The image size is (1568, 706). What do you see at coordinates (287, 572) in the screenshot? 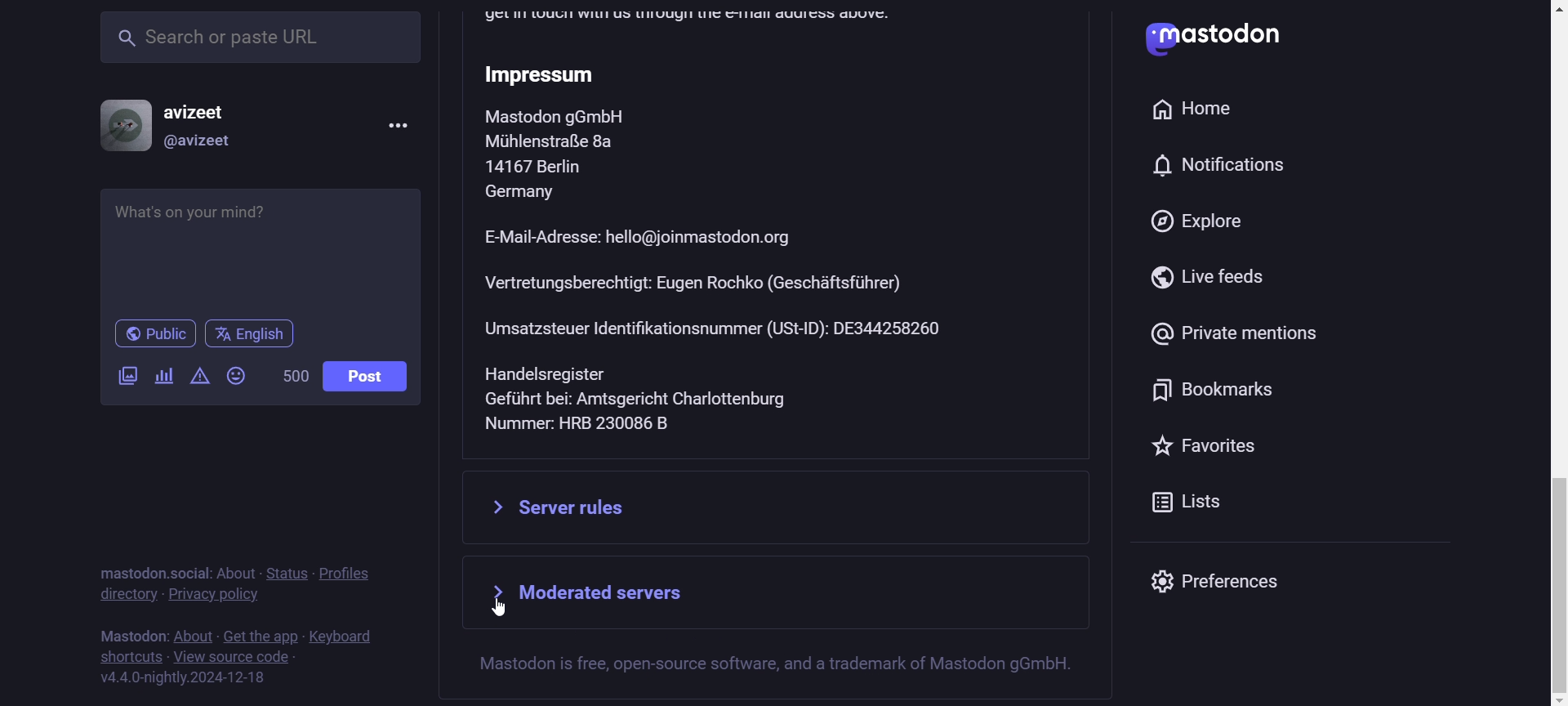
I see `status` at bounding box center [287, 572].